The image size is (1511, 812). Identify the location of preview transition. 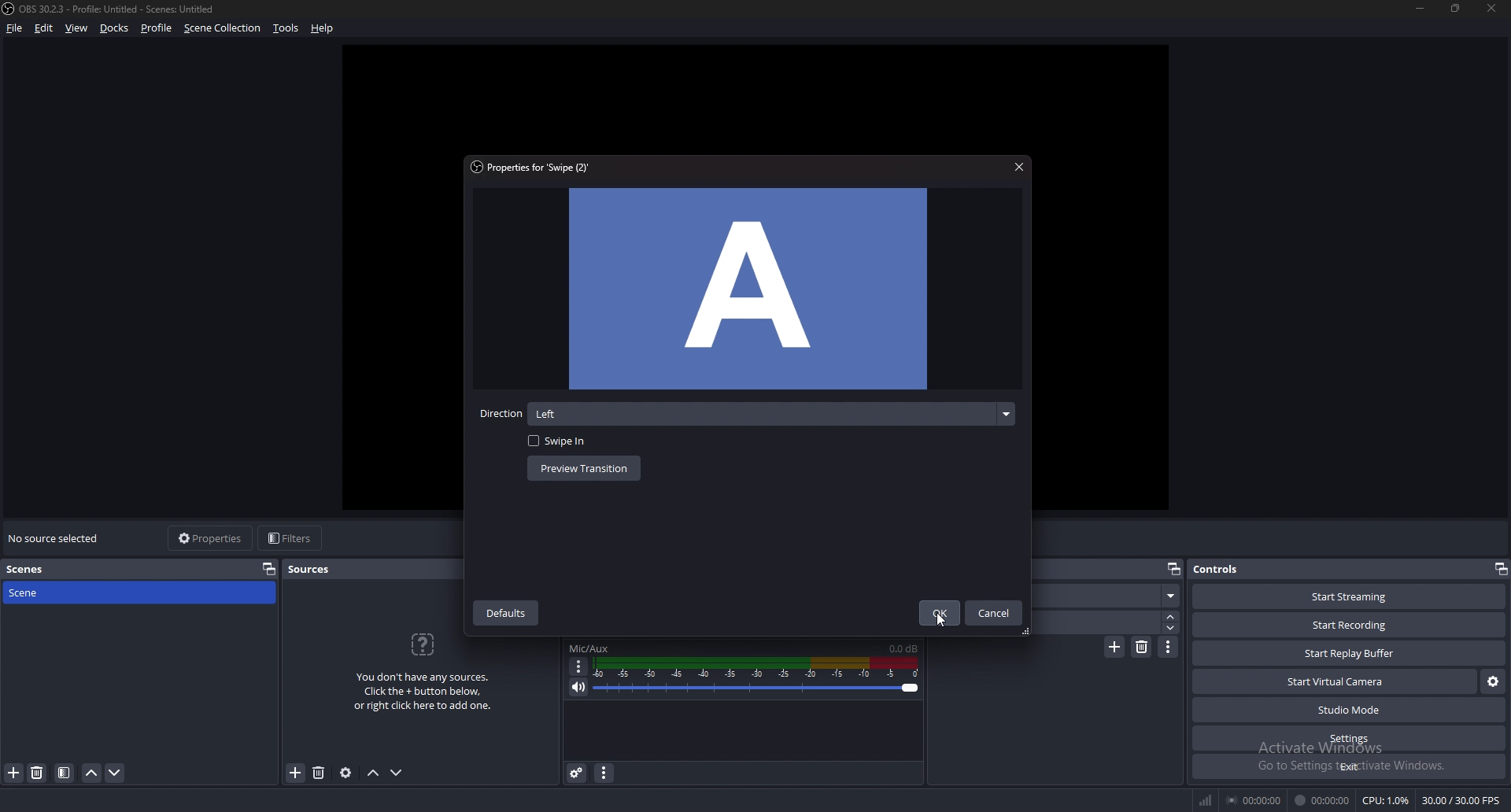
(582, 470).